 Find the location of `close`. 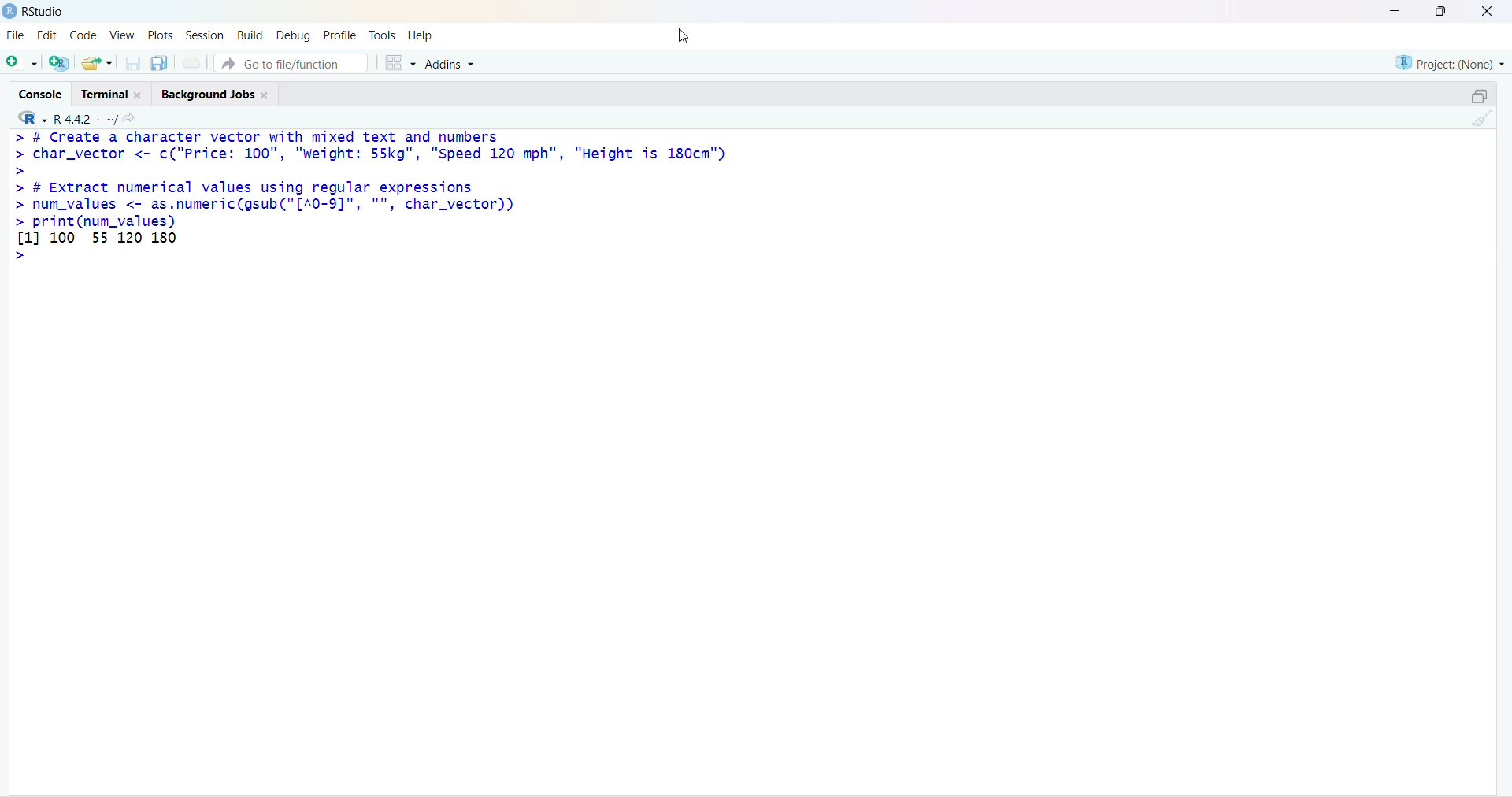

close is located at coordinates (139, 95).